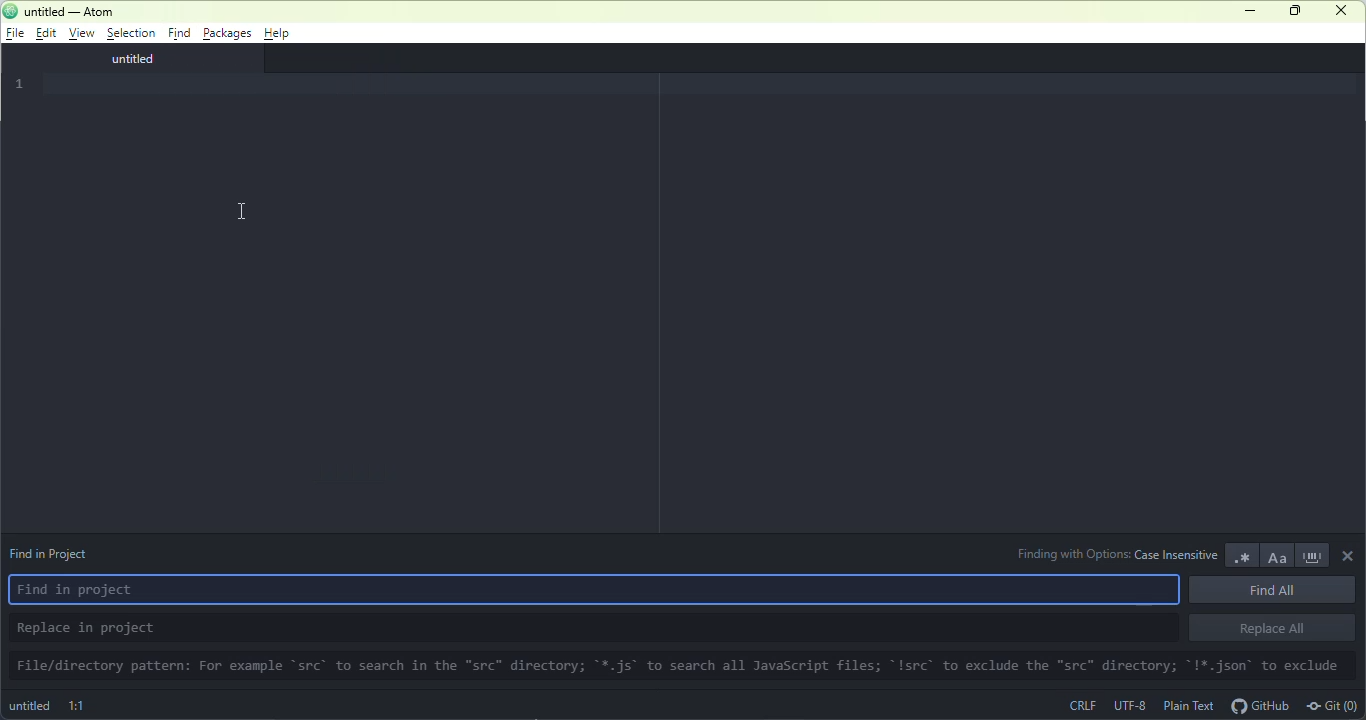 This screenshot has width=1366, height=720. Describe the element at coordinates (1270, 629) in the screenshot. I see `replace all` at that location.